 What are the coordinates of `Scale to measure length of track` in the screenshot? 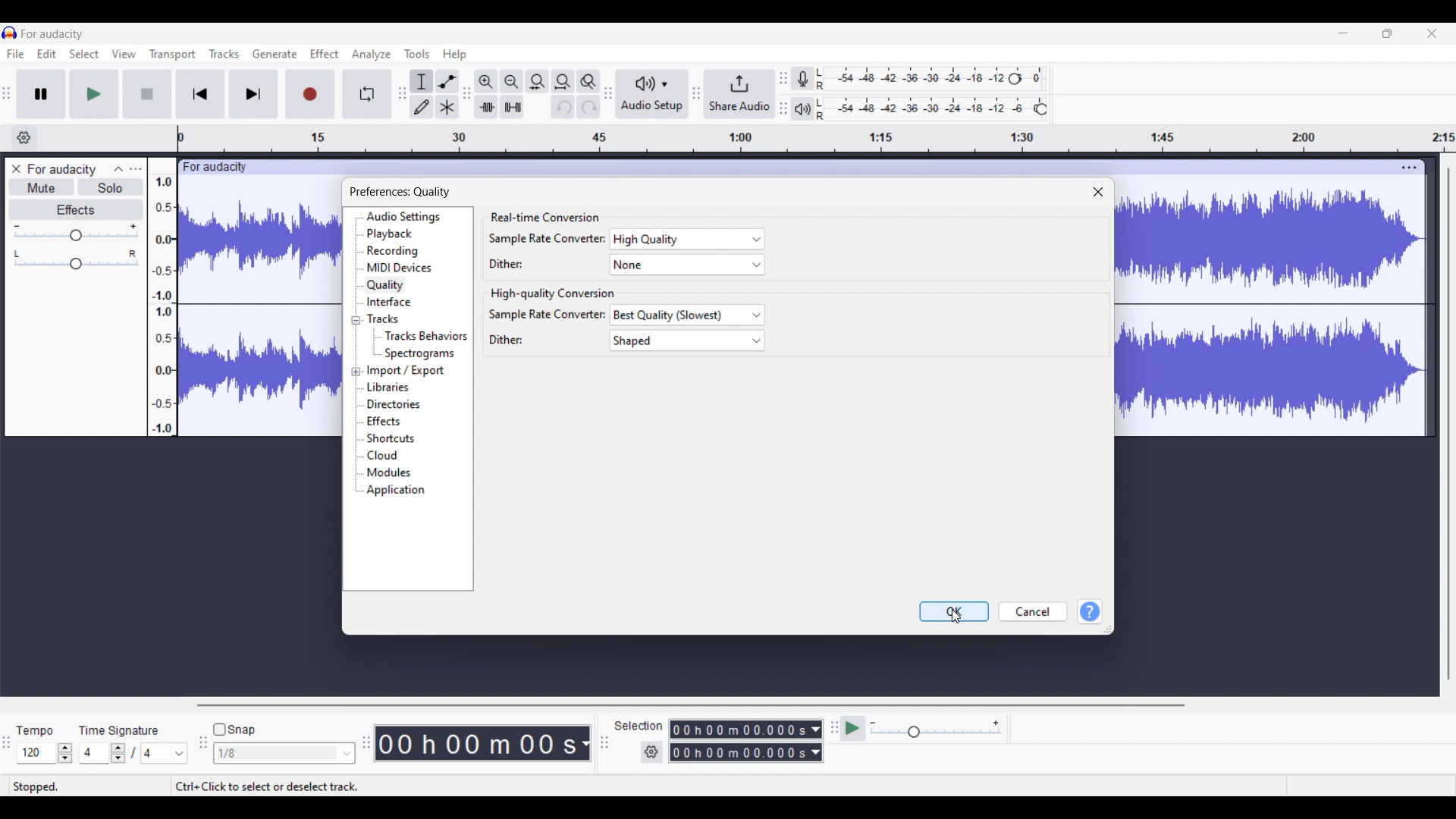 It's located at (817, 138).